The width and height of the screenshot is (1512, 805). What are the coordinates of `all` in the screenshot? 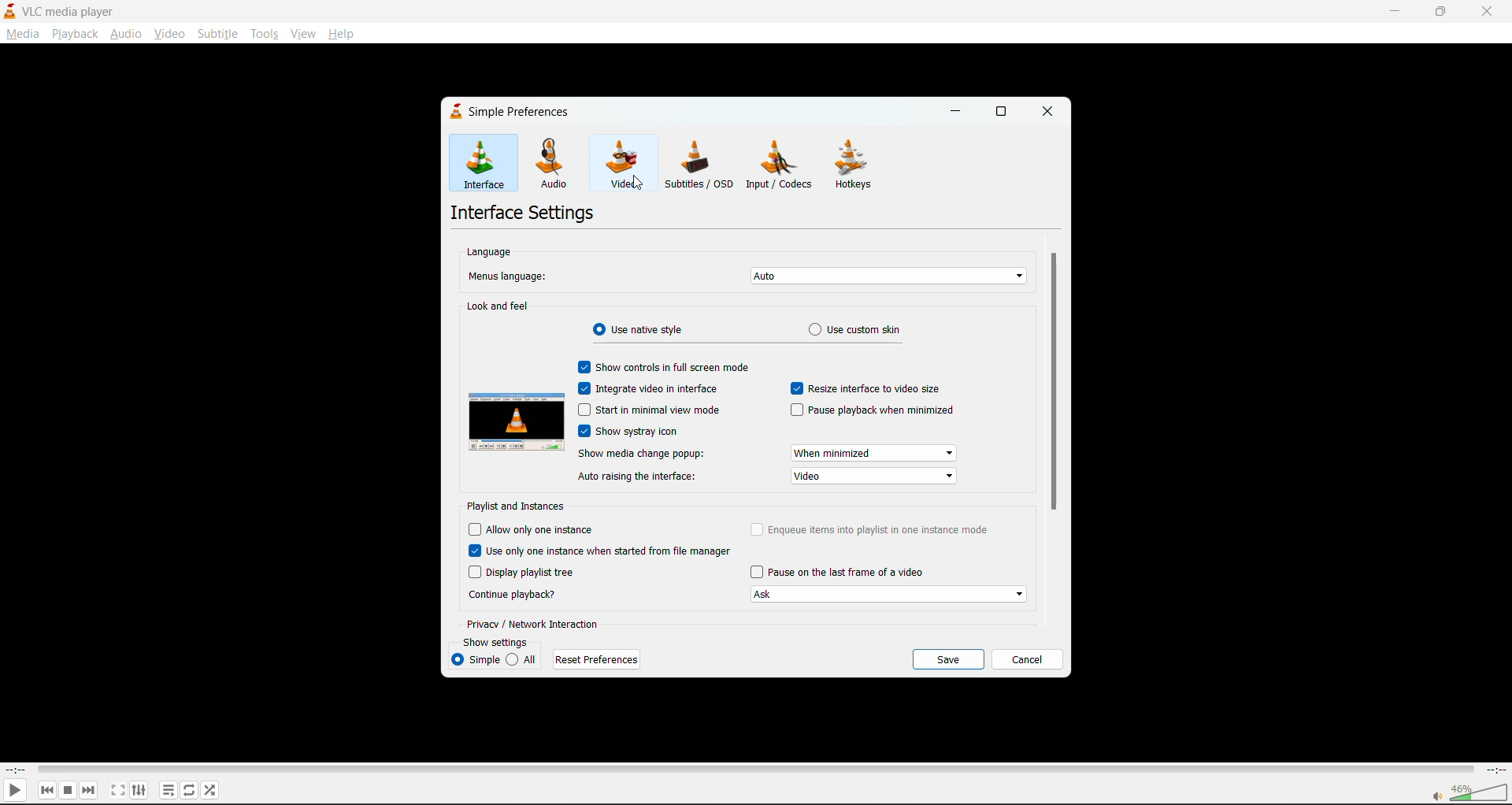 It's located at (524, 659).